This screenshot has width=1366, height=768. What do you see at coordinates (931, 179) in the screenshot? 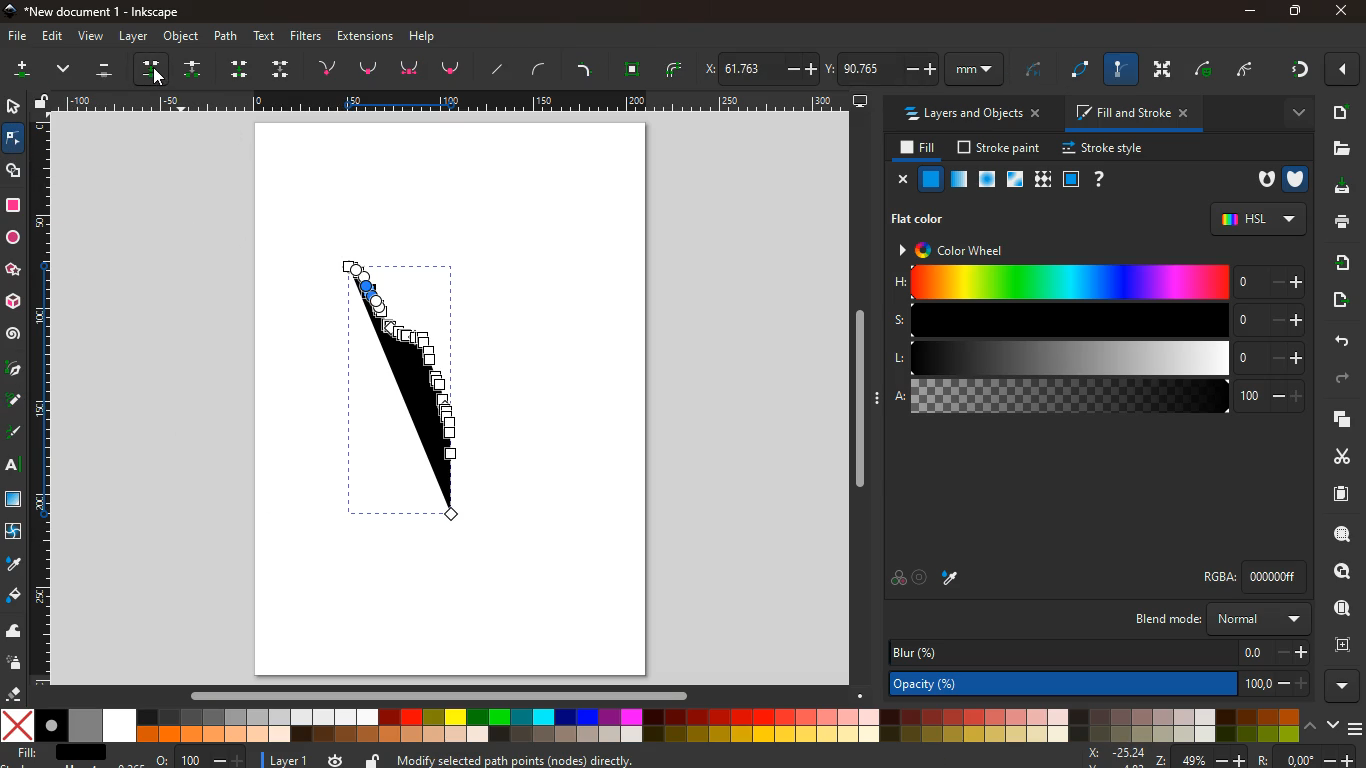
I see `normal` at bounding box center [931, 179].